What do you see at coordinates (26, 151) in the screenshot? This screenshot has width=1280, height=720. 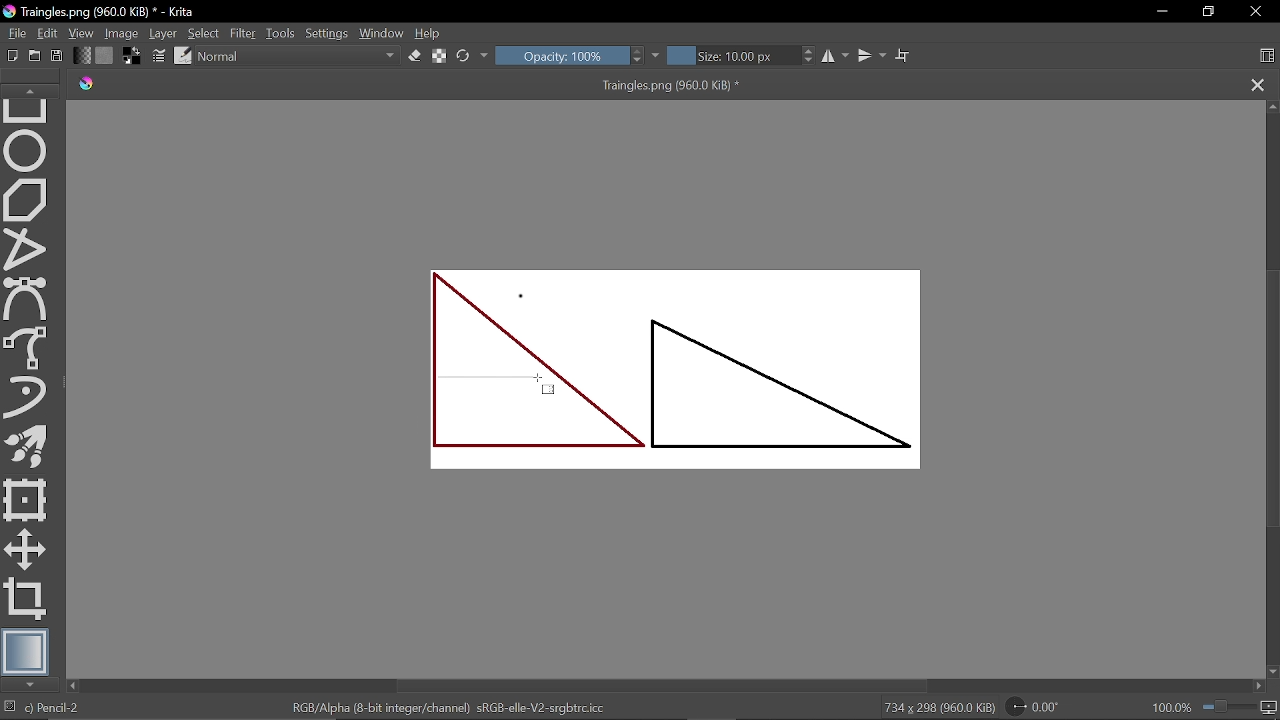 I see `Ellipse tool` at bounding box center [26, 151].